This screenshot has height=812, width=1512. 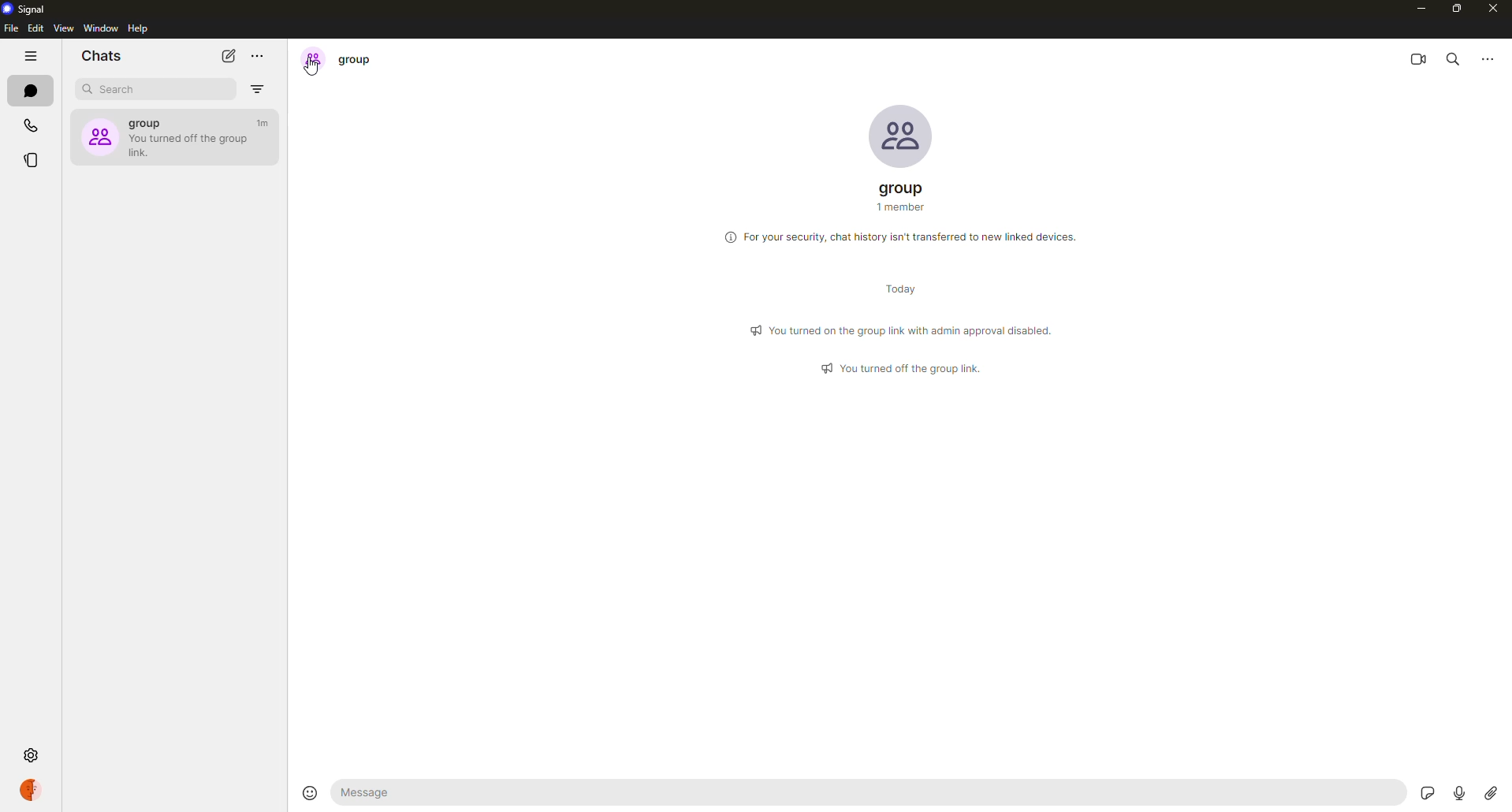 What do you see at coordinates (390, 794) in the screenshot?
I see `message` at bounding box center [390, 794].